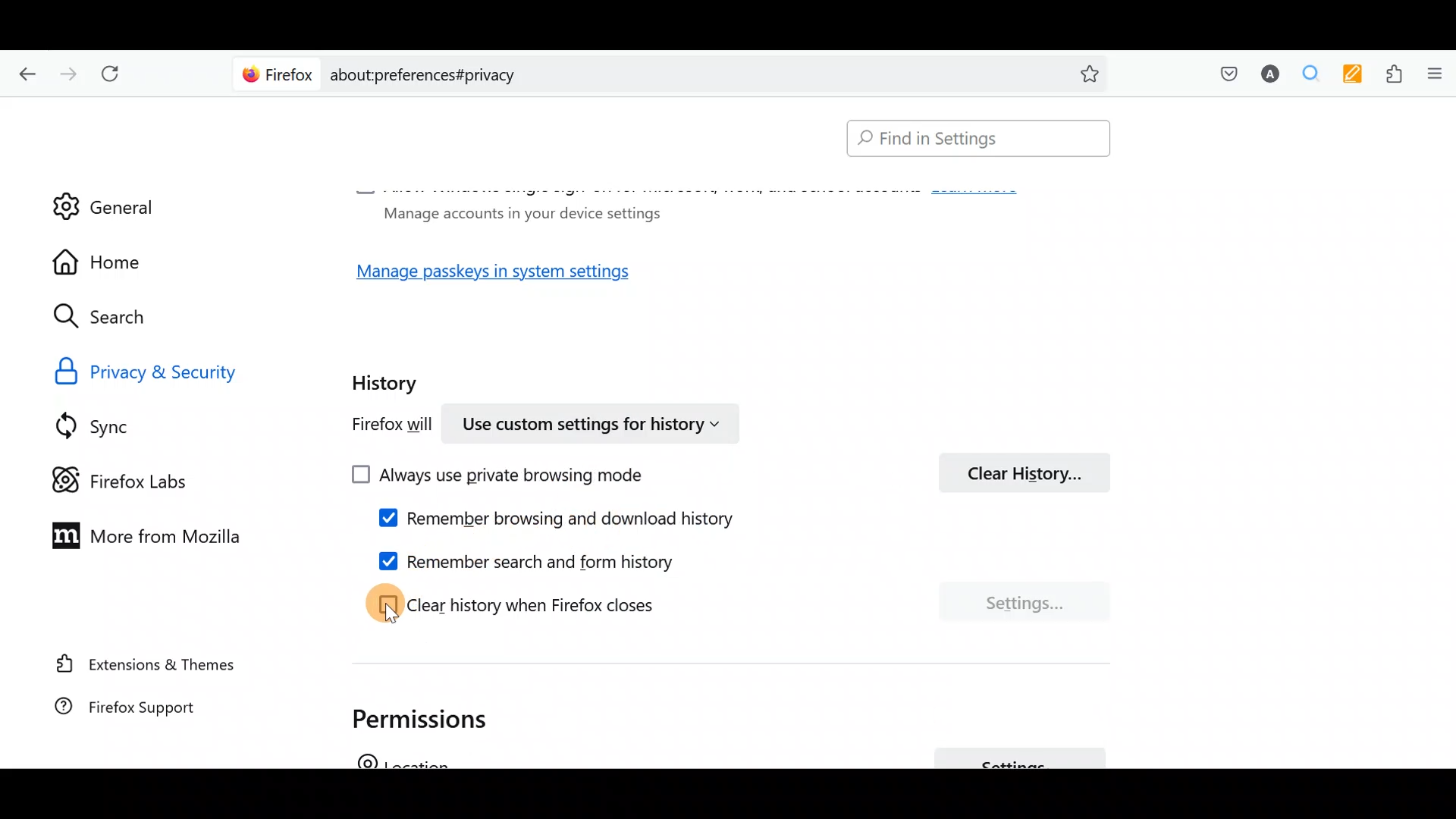  I want to click on Open application menu, so click(1433, 75).